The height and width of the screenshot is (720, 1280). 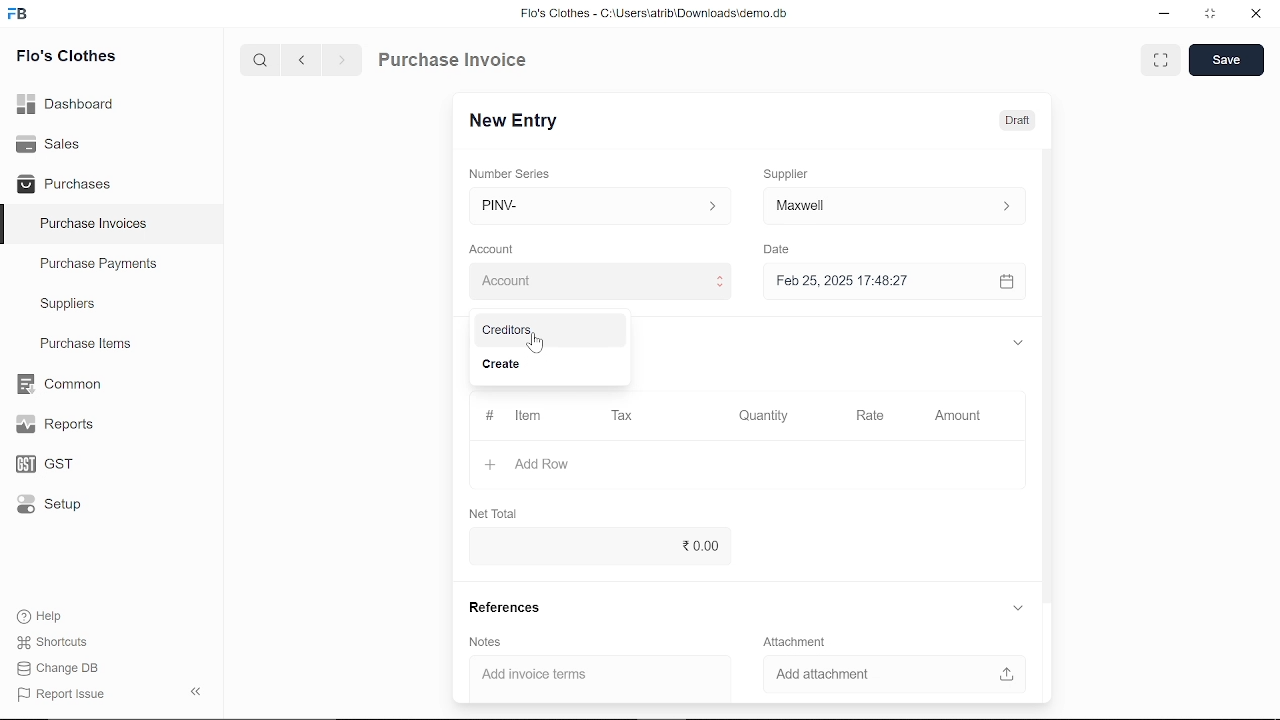 I want to click on Account, so click(x=498, y=247).